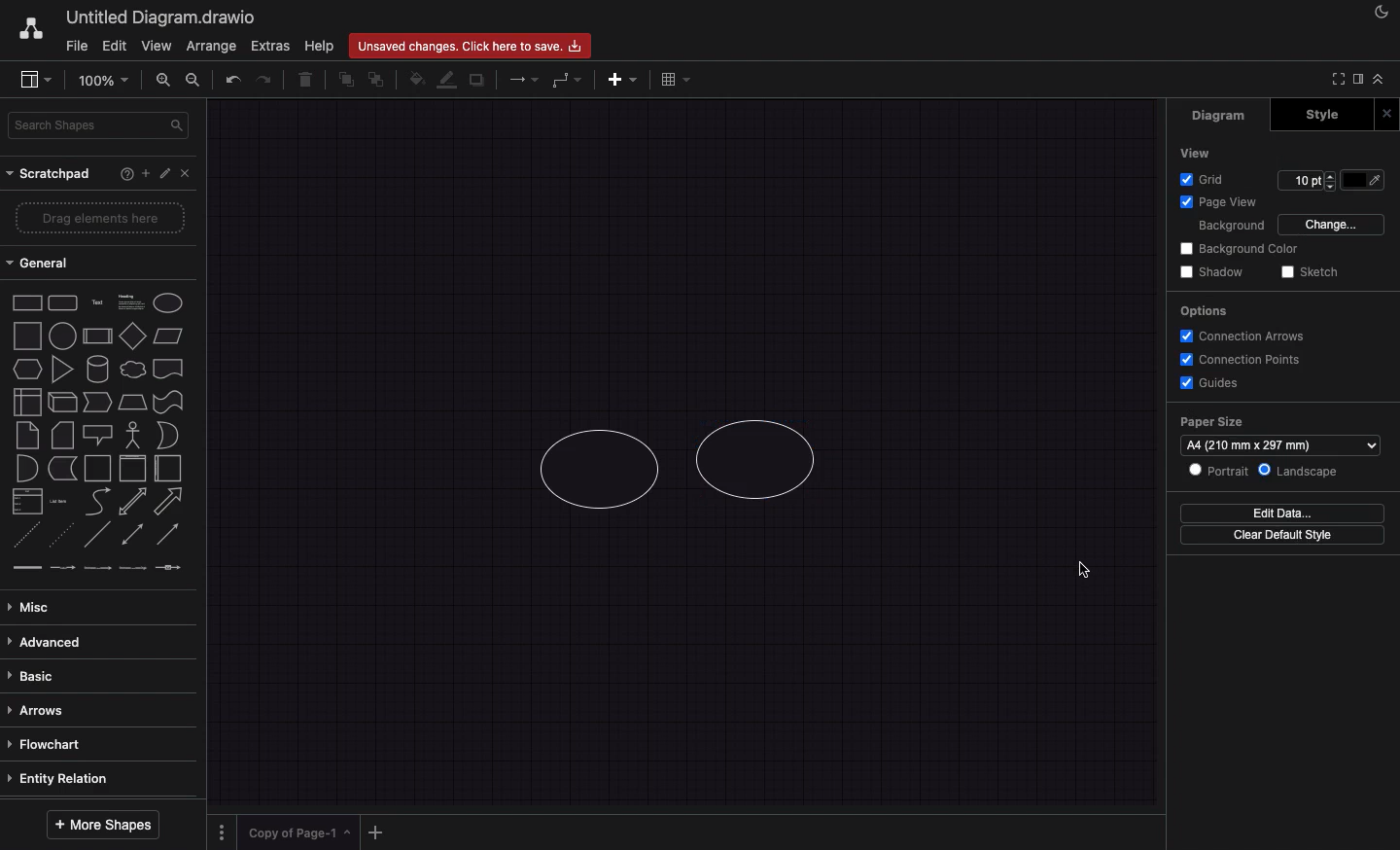 The height and width of the screenshot is (850, 1400). Describe the element at coordinates (1362, 181) in the screenshot. I see `fill color` at that location.